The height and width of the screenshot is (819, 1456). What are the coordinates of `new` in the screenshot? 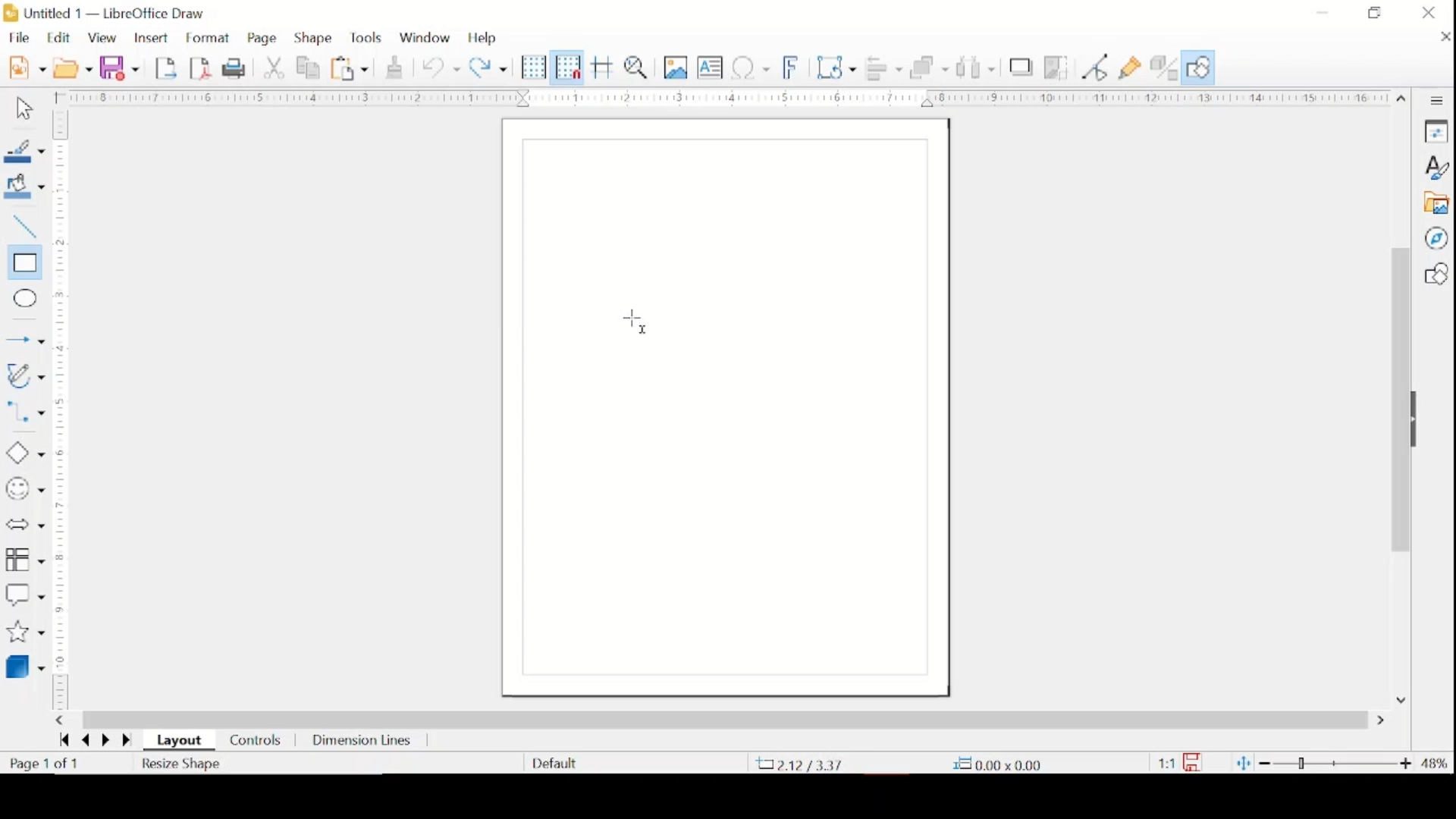 It's located at (27, 66).